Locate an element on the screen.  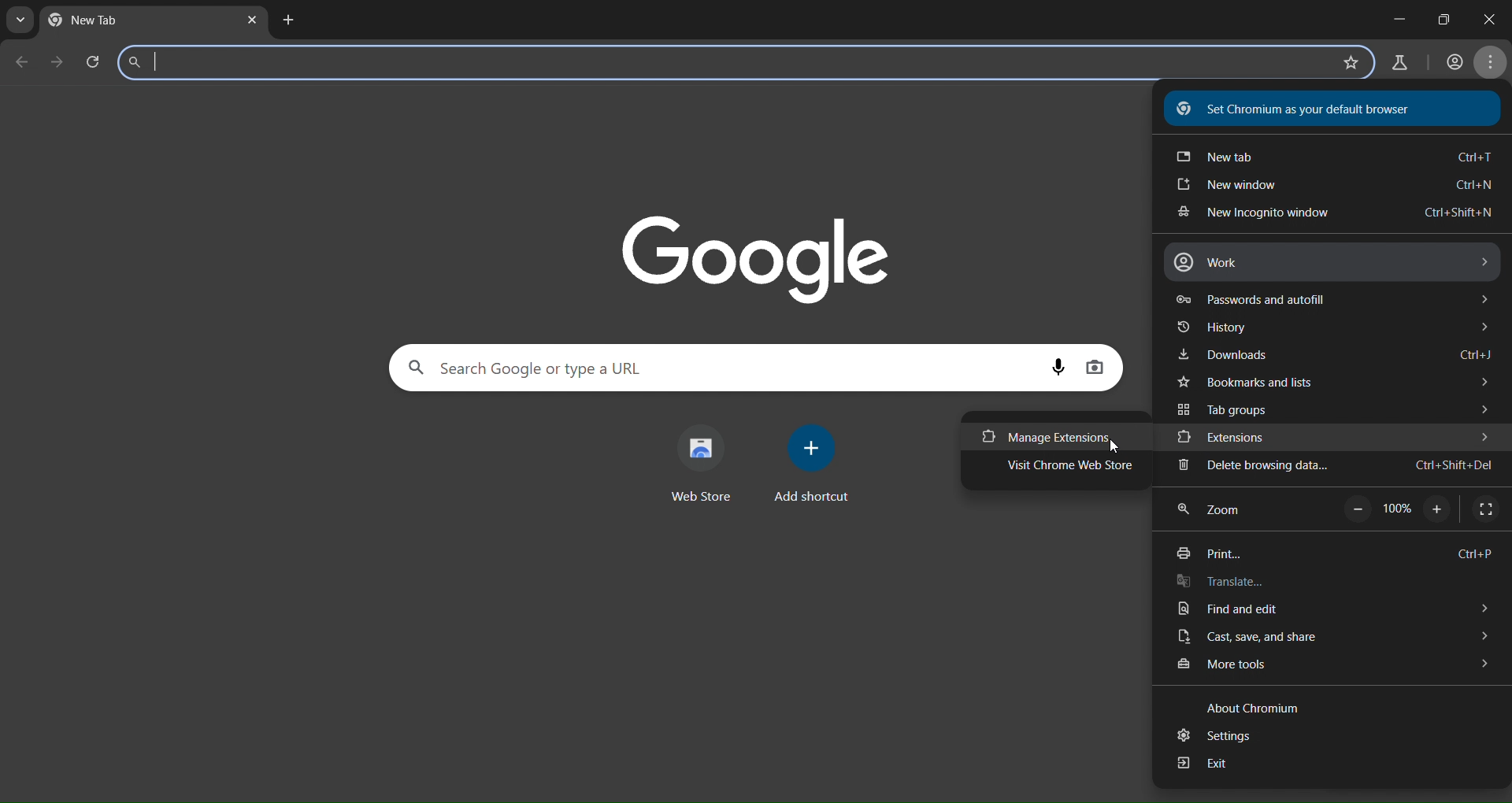
close is located at coordinates (1446, 17).